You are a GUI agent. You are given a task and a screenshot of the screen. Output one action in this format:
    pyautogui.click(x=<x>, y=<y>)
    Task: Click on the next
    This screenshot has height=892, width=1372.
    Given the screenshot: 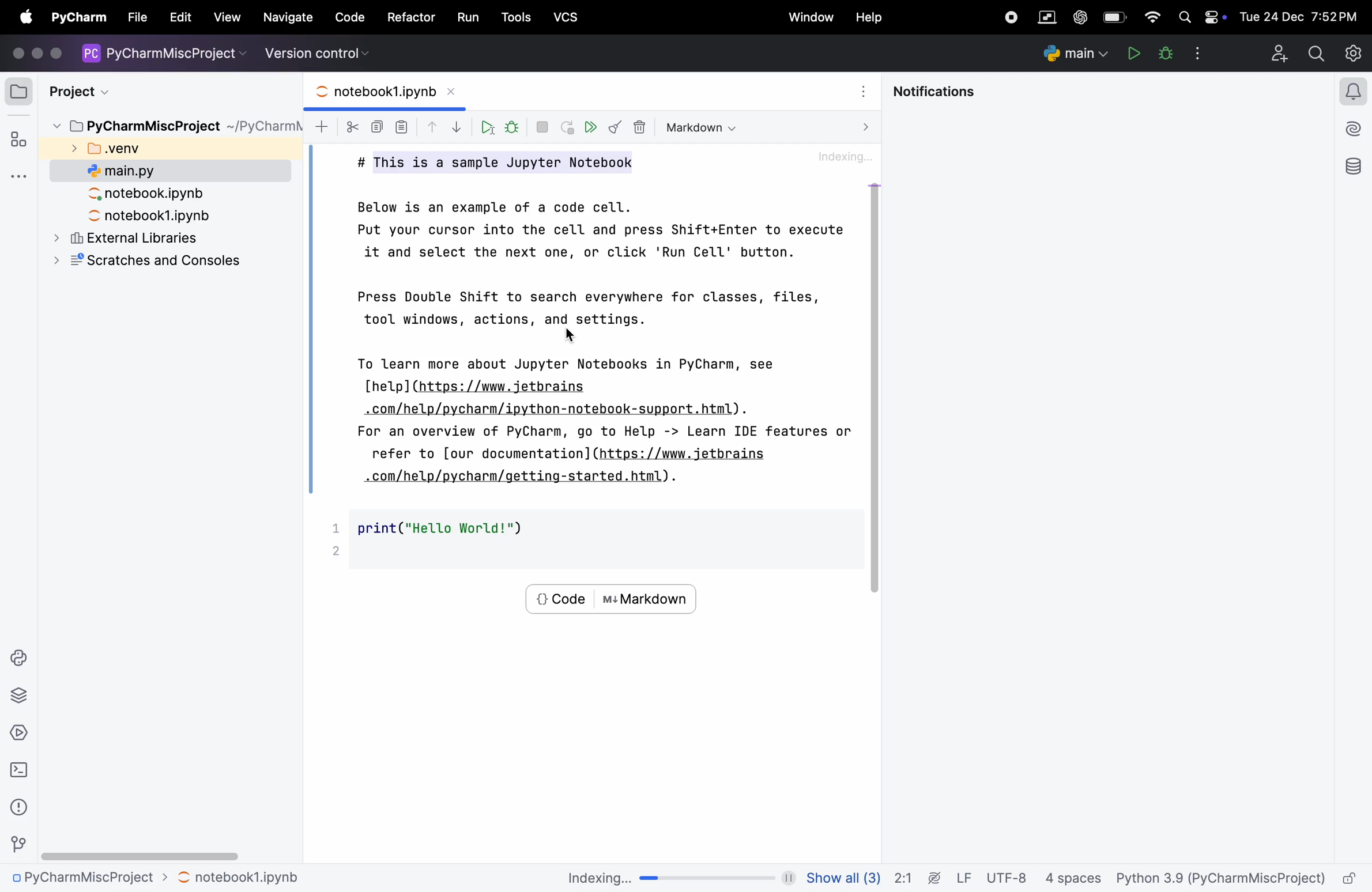 What is the action you would take?
    pyautogui.click(x=870, y=126)
    